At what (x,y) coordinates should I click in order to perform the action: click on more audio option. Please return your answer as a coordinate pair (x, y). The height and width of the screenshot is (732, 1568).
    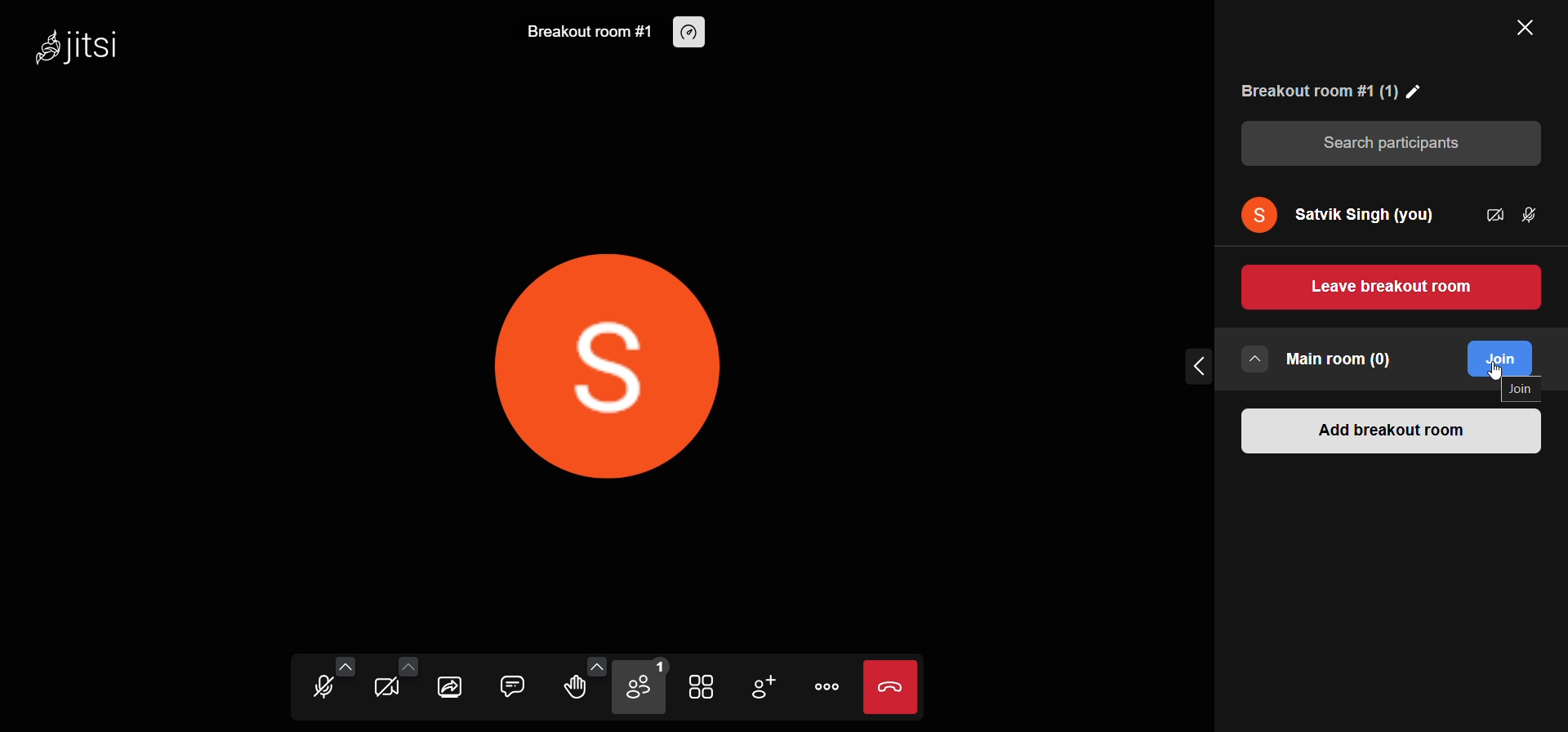
    Looking at the image, I should click on (341, 663).